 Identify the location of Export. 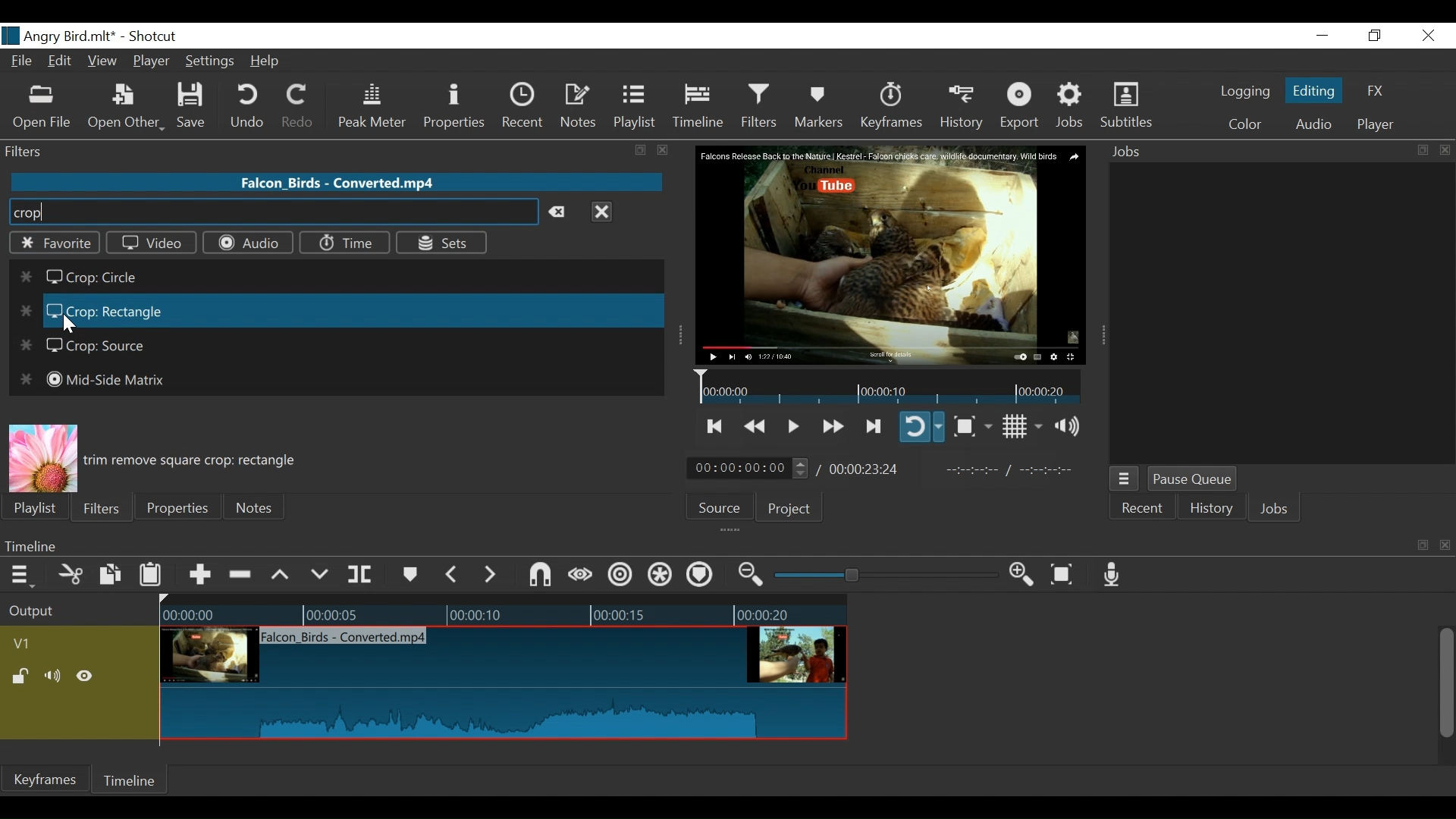
(1020, 107).